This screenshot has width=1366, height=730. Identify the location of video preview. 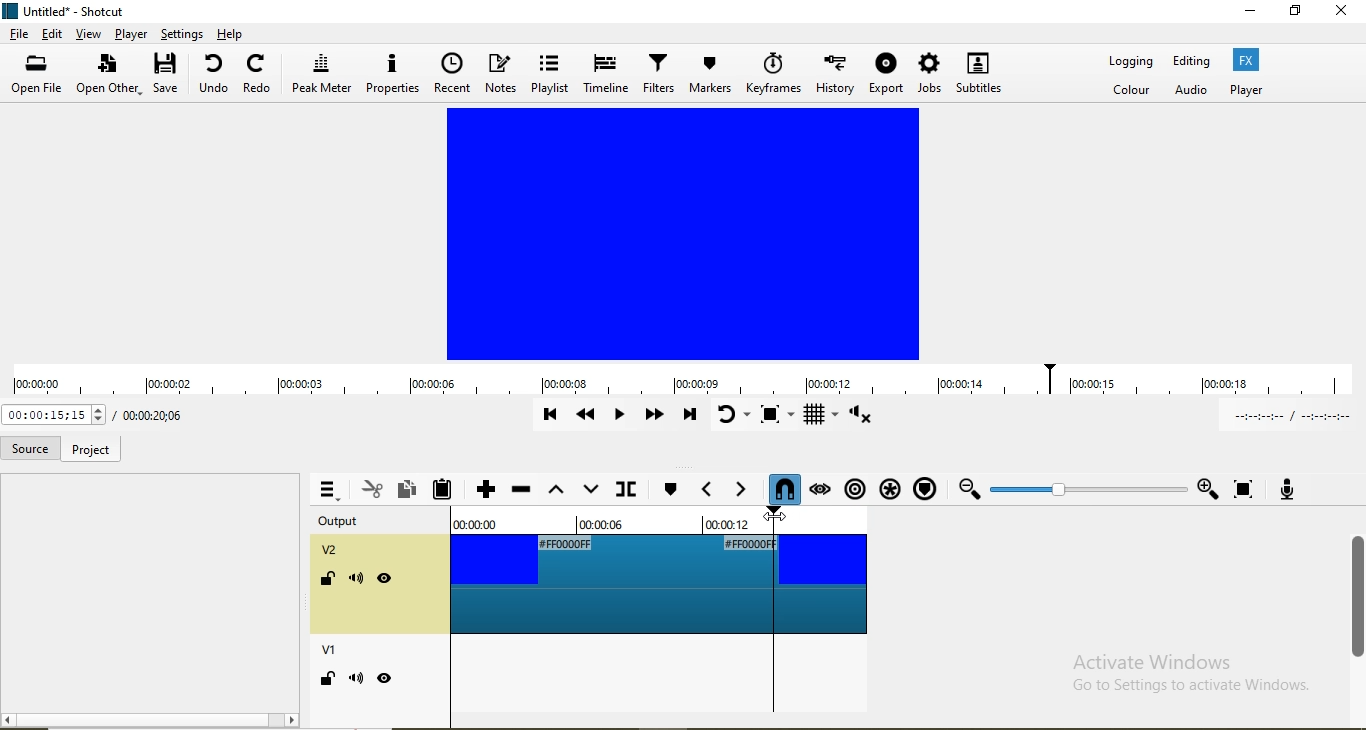
(685, 234).